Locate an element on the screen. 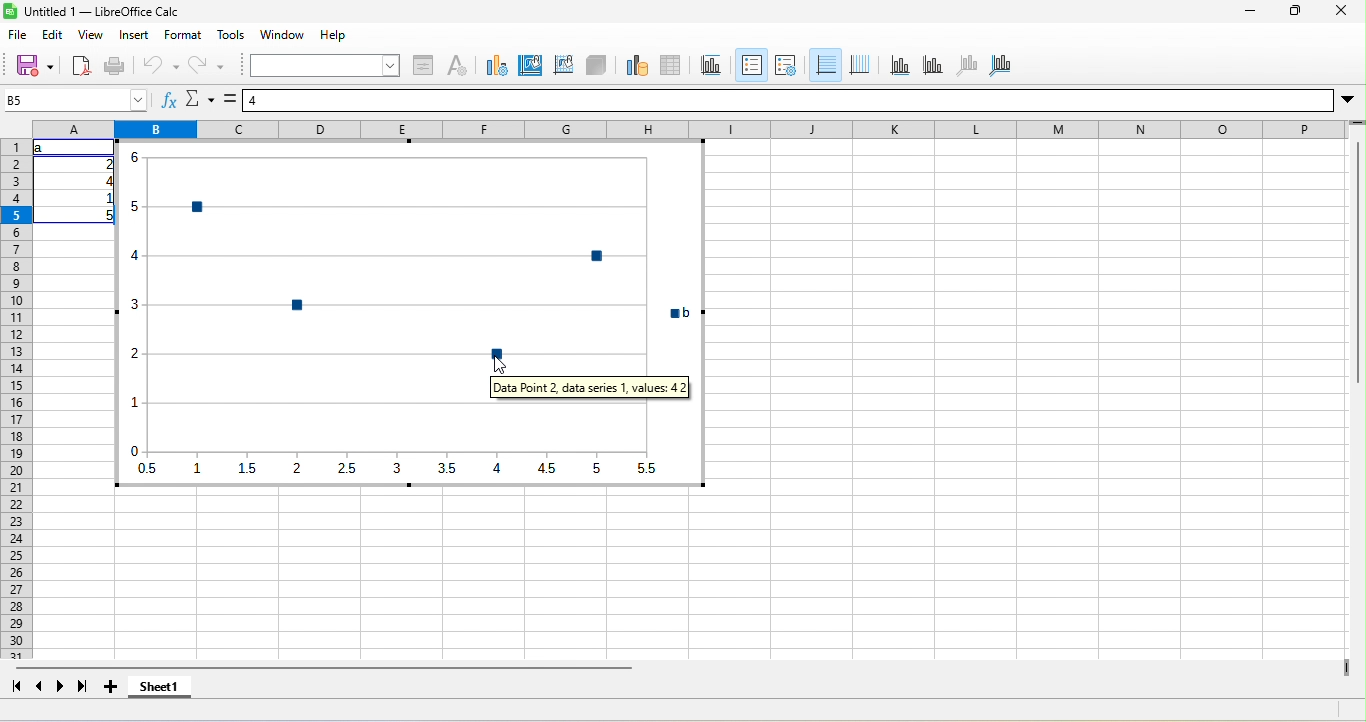 The width and height of the screenshot is (1366, 722).  next sheet is located at coordinates (61, 686).